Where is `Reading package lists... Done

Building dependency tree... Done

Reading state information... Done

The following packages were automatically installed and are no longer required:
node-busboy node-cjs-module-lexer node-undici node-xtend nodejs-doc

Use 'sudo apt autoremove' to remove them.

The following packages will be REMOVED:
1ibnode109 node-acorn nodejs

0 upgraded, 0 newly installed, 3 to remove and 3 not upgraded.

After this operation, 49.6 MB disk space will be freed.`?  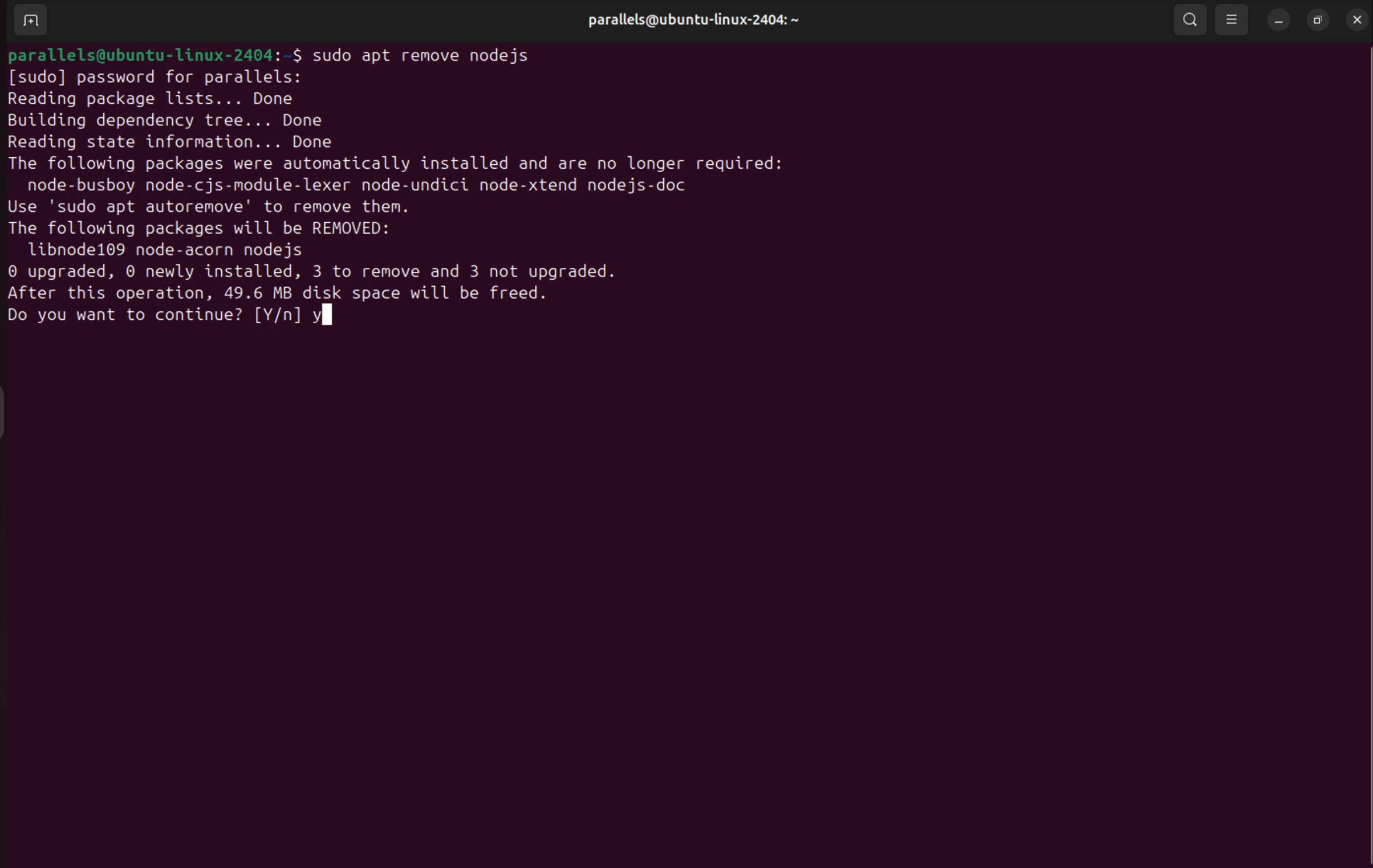 Reading package lists... Done

Building dependency tree... Done

Reading state information... Done

The following packages were automatically installed and are no longer required:
node-busboy node-cjs-module-lexer node-undici node-xtend nodejs-doc

Use 'sudo apt autoremove' to remove them.

The following packages will be REMOVED:
1ibnode109 node-acorn nodejs

0 upgraded, 0 newly installed, 3 to remove and 3 not upgraded.

After this operation, 49.6 MB disk space will be freed. is located at coordinates (395, 195).